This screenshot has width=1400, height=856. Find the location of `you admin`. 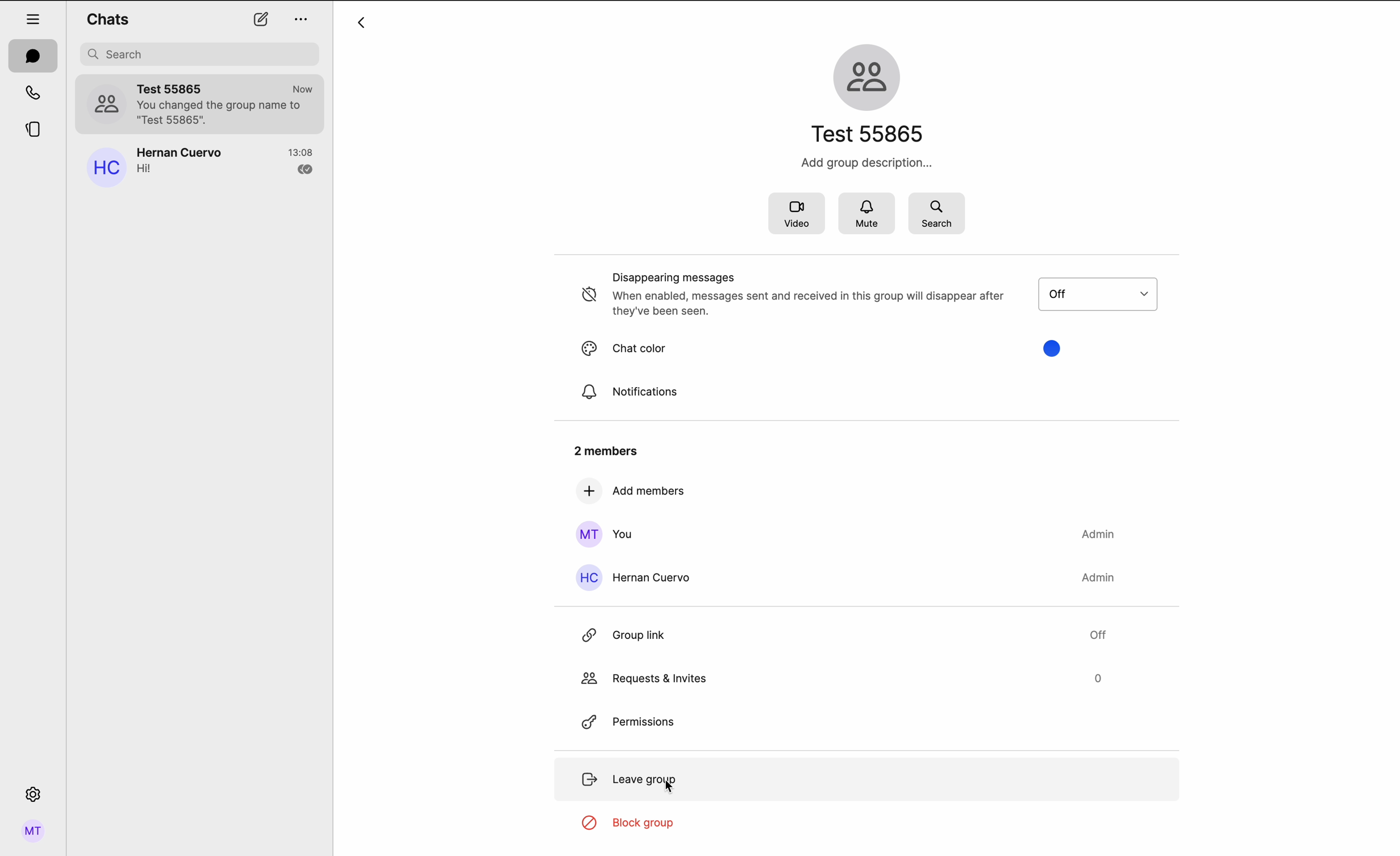

you admin is located at coordinates (843, 534).